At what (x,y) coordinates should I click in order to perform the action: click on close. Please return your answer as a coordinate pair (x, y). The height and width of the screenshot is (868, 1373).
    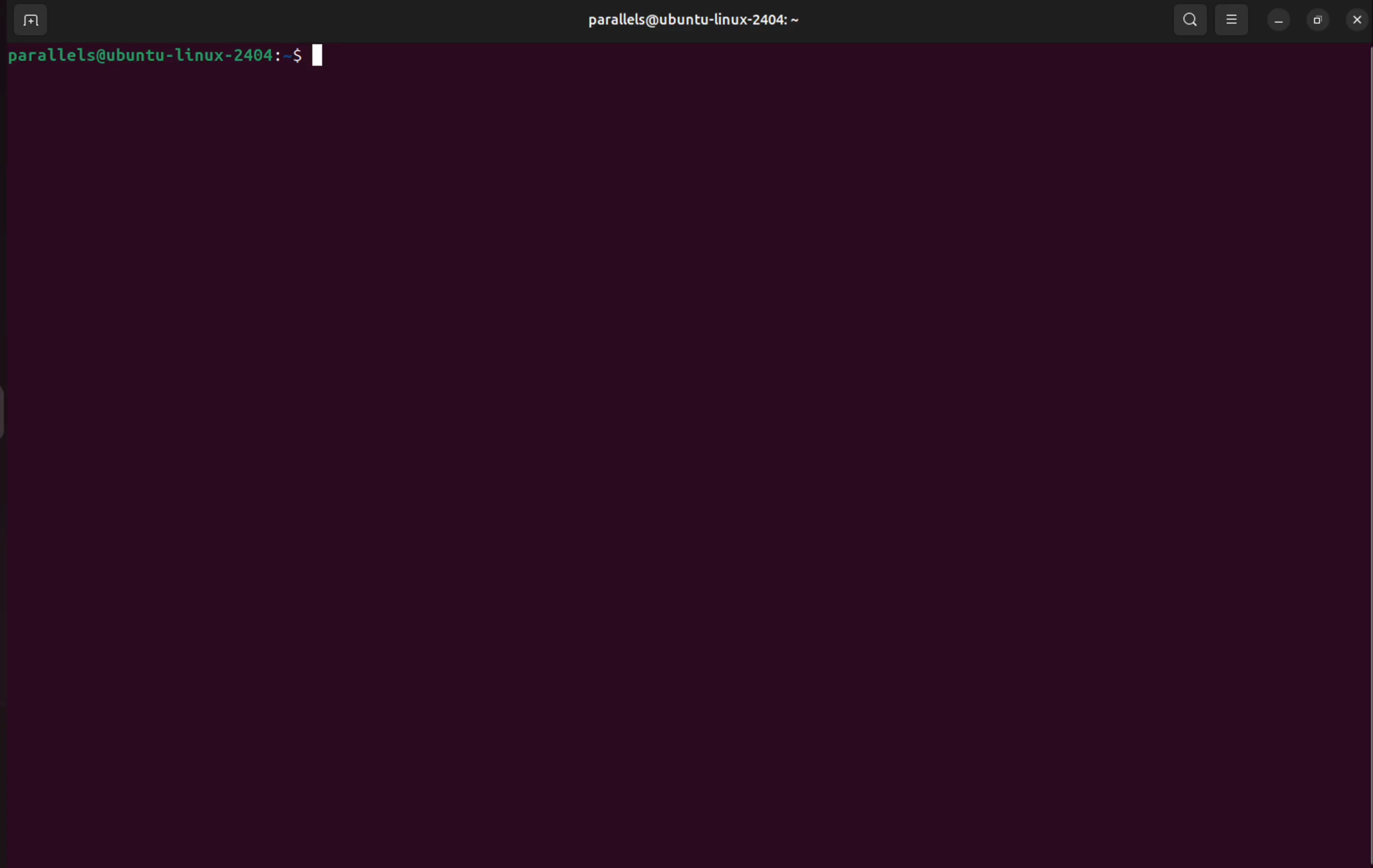
    Looking at the image, I should click on (1355, 19).